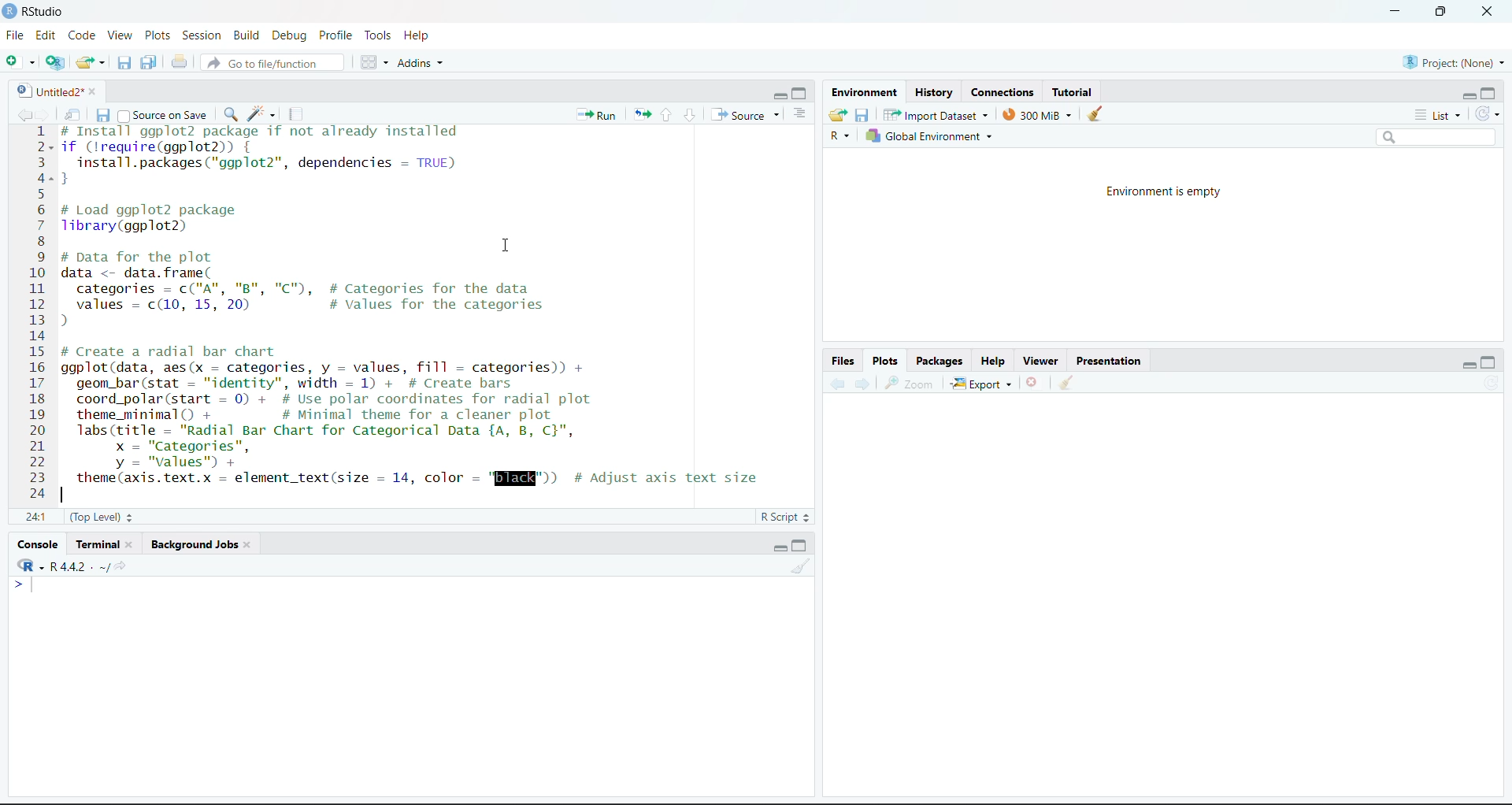  I want to click on Console, so click(37, 545).